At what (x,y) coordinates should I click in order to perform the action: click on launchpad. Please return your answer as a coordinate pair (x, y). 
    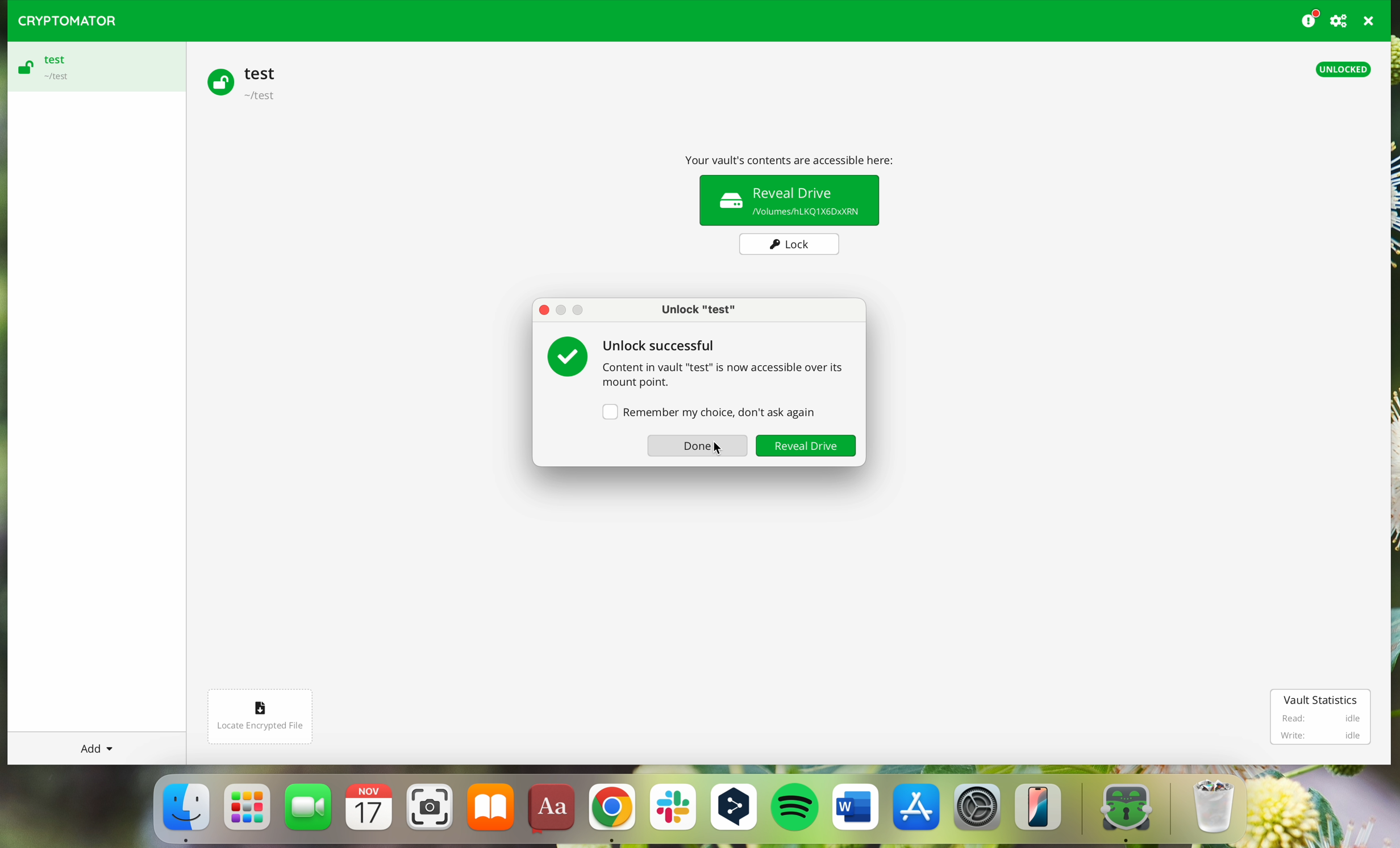
    Looking at the image, I should click on (248, 807).